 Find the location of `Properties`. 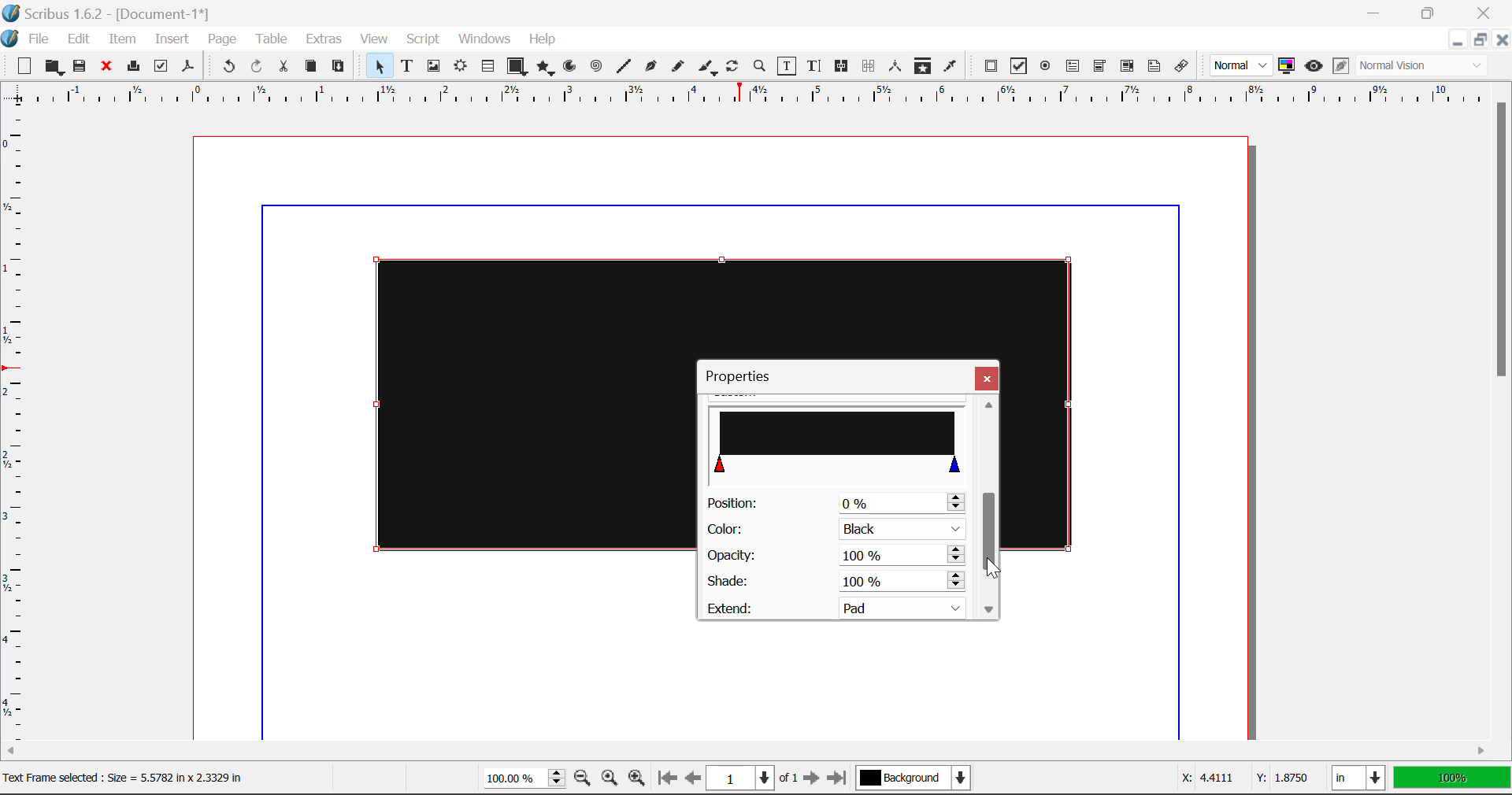

Properties is located at coordinates (747, 376).